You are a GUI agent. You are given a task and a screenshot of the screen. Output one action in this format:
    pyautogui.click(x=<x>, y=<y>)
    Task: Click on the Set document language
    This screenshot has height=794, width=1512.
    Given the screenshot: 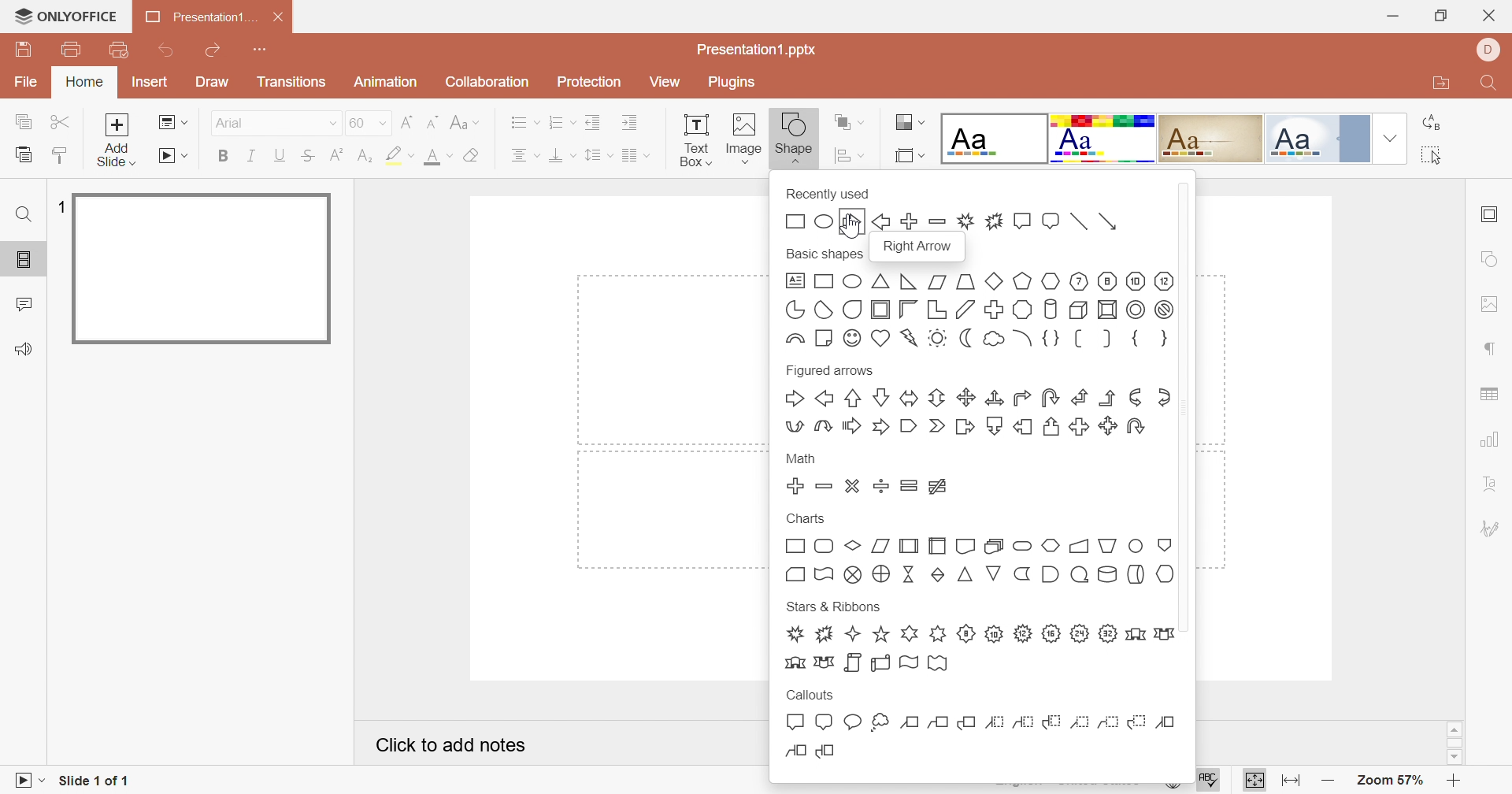 What is the action you would take?
    pyautogui.click(x=1174, y=781)
    